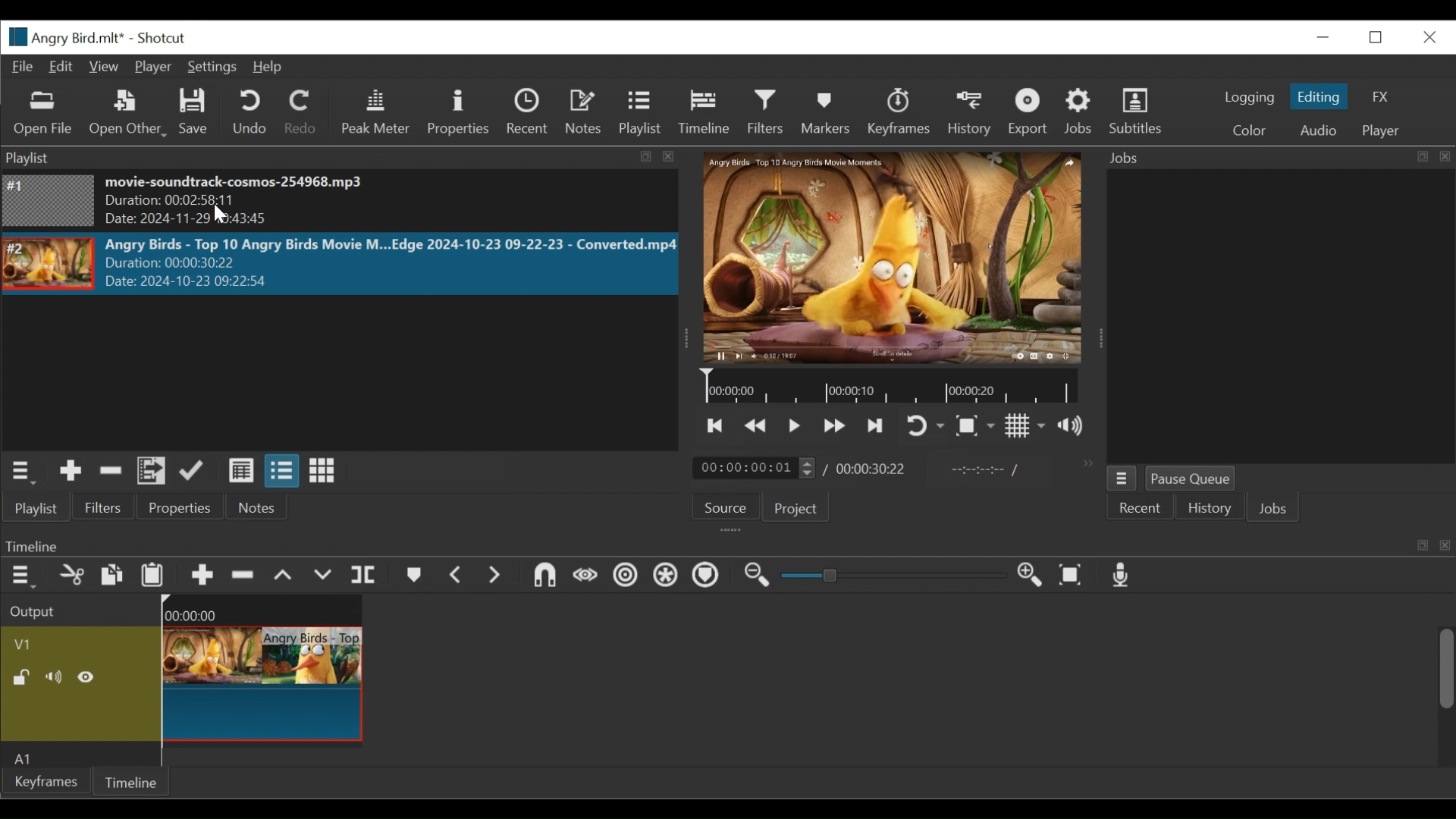 The height and width of the screenshot is (819, 1456). Describe the element at coordinates (868, 469) in the screenshot. I see `00:00:30:22(Total Duration)` at that location.